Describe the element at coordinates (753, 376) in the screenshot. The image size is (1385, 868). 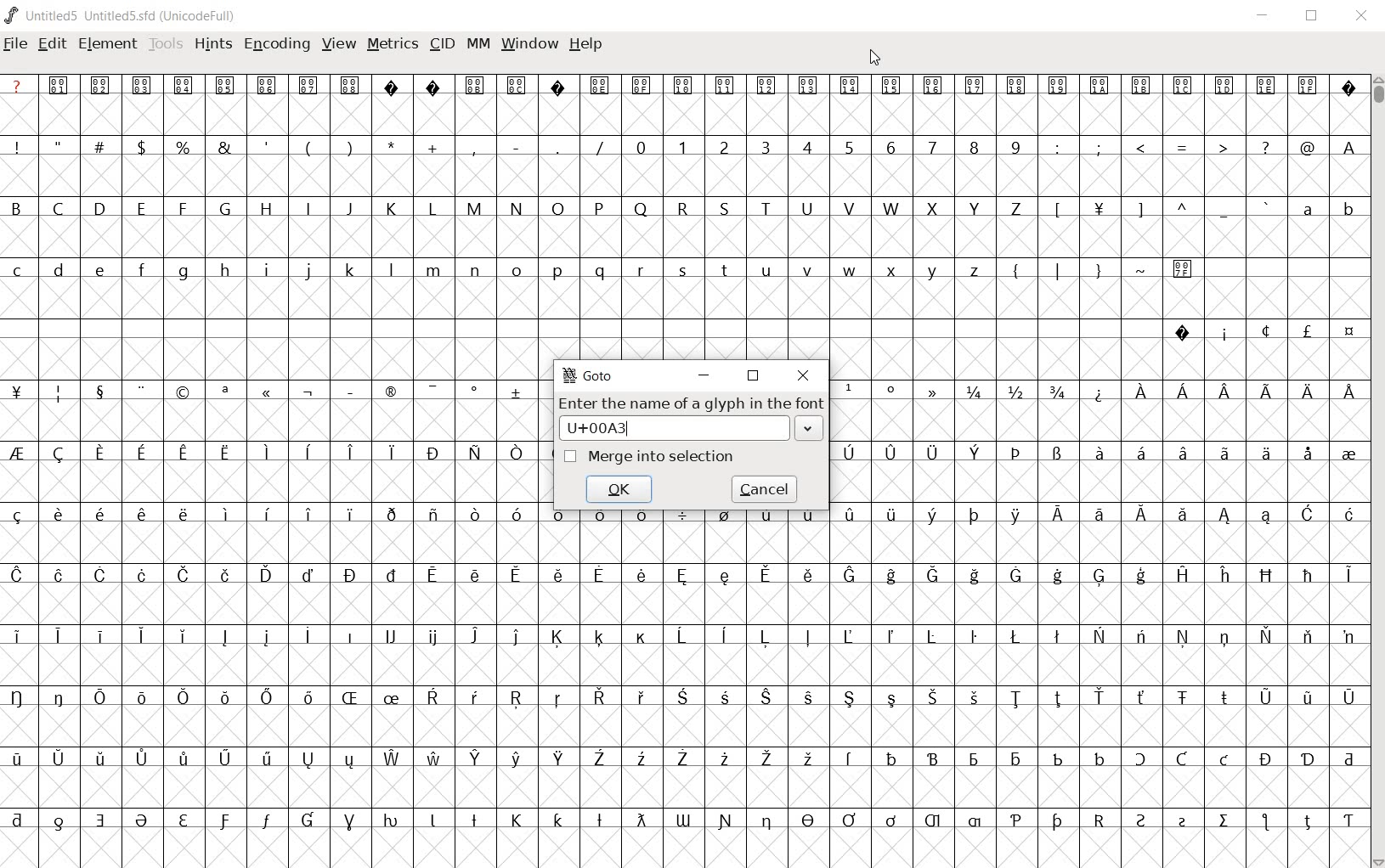
I see `maximize` at that location.